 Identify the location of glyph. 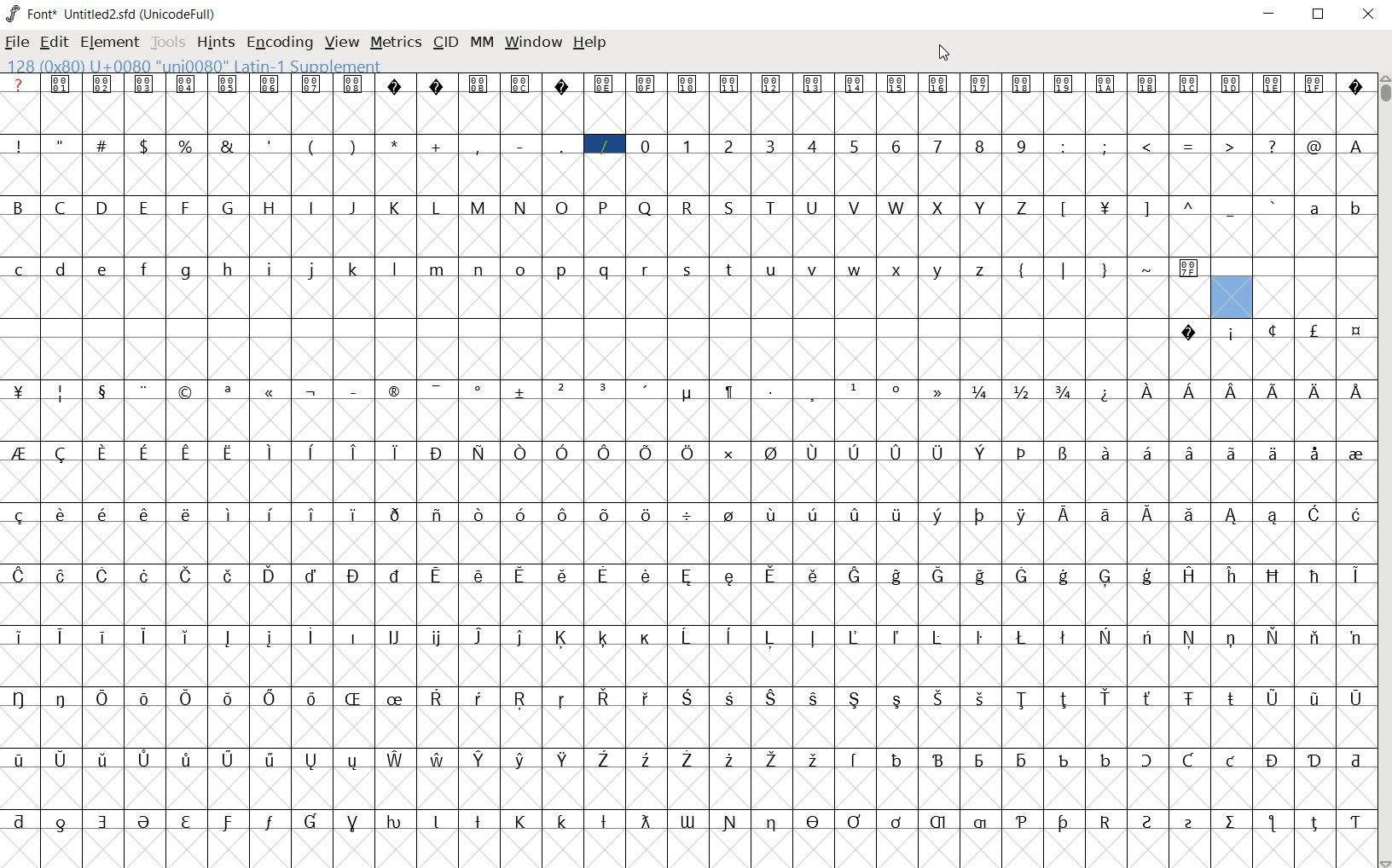
(1314, 147).